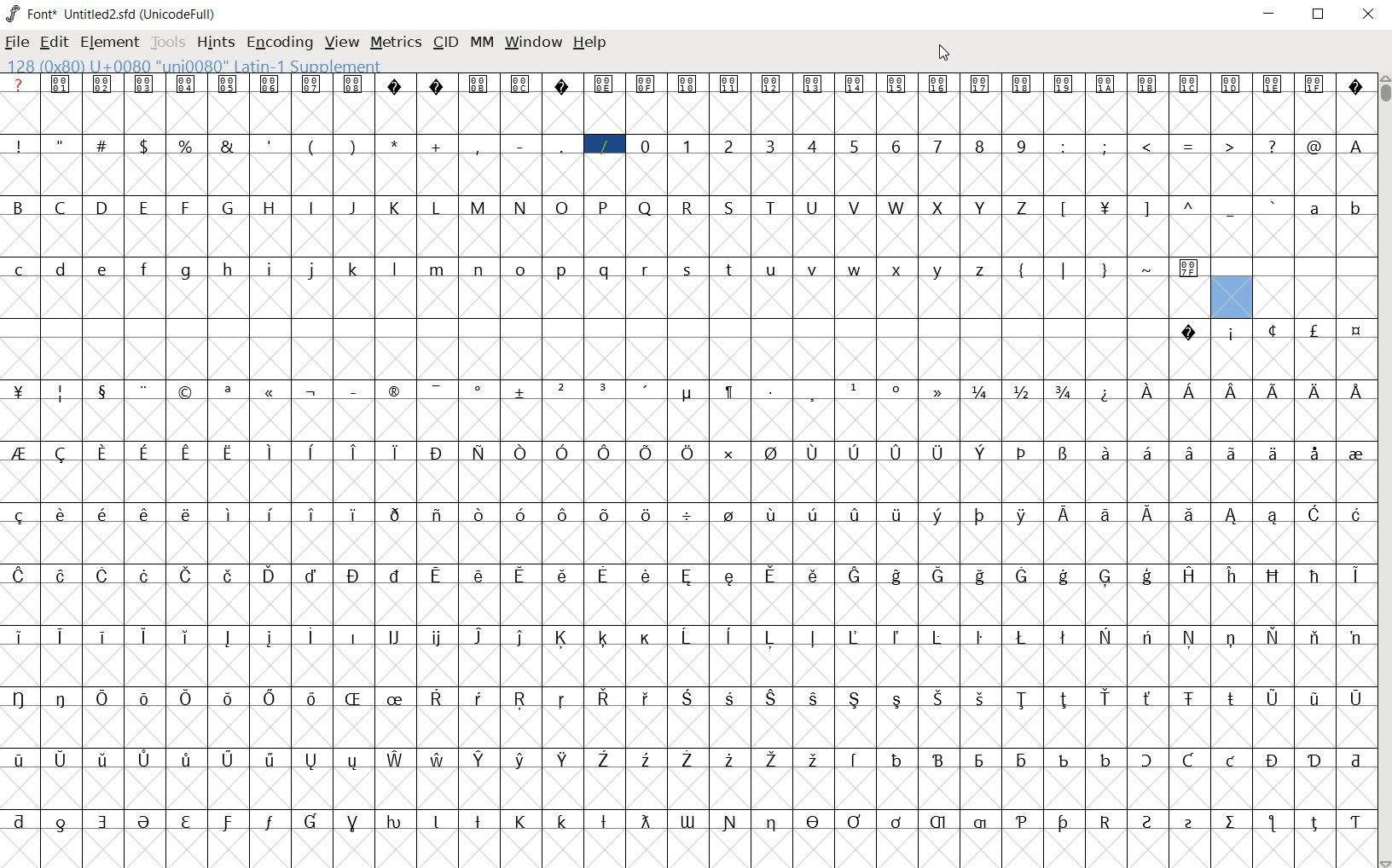  I want to click on glyph, so click(687, 452).